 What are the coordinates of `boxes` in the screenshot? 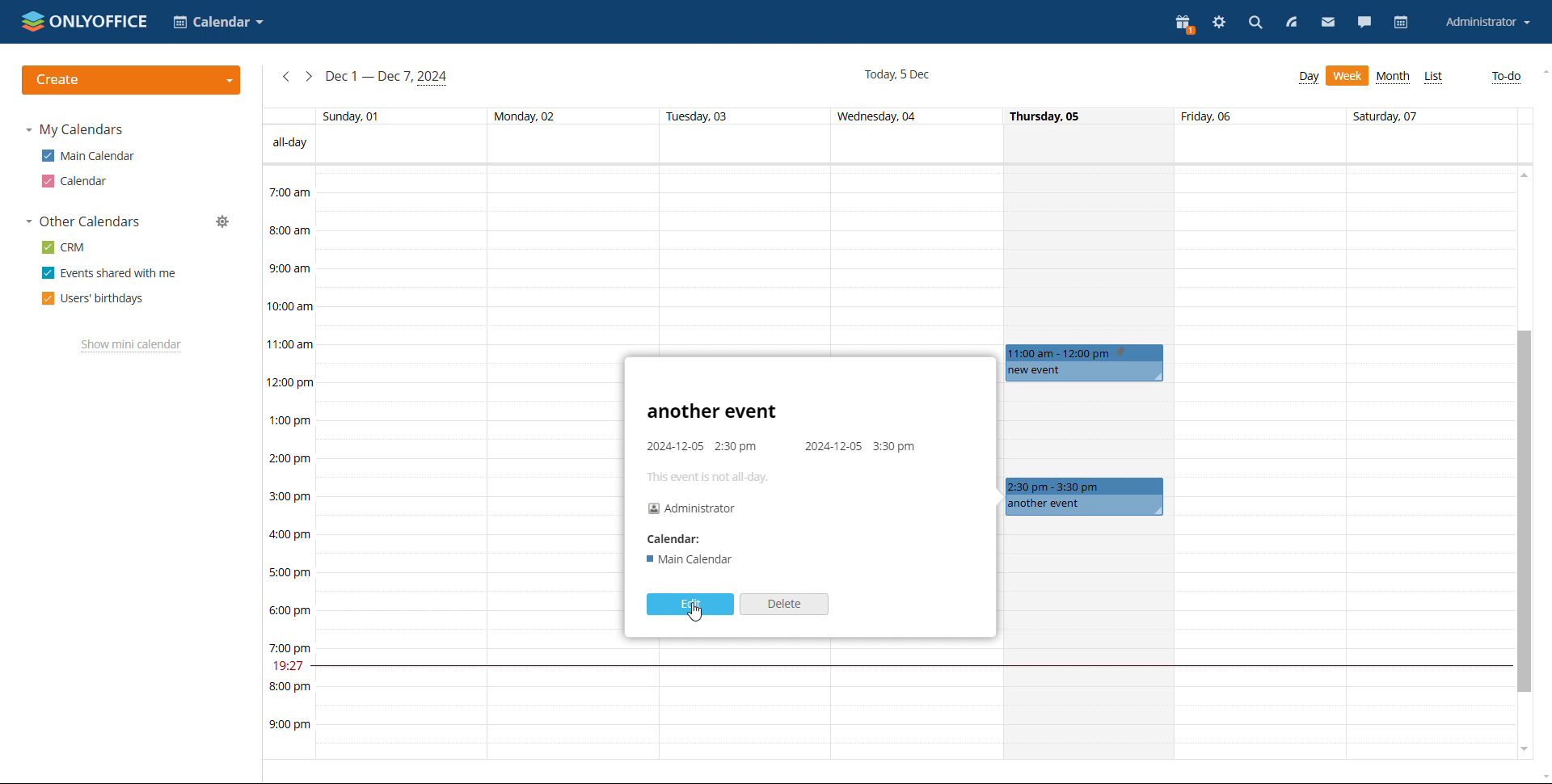 It's located at (1343, 463).